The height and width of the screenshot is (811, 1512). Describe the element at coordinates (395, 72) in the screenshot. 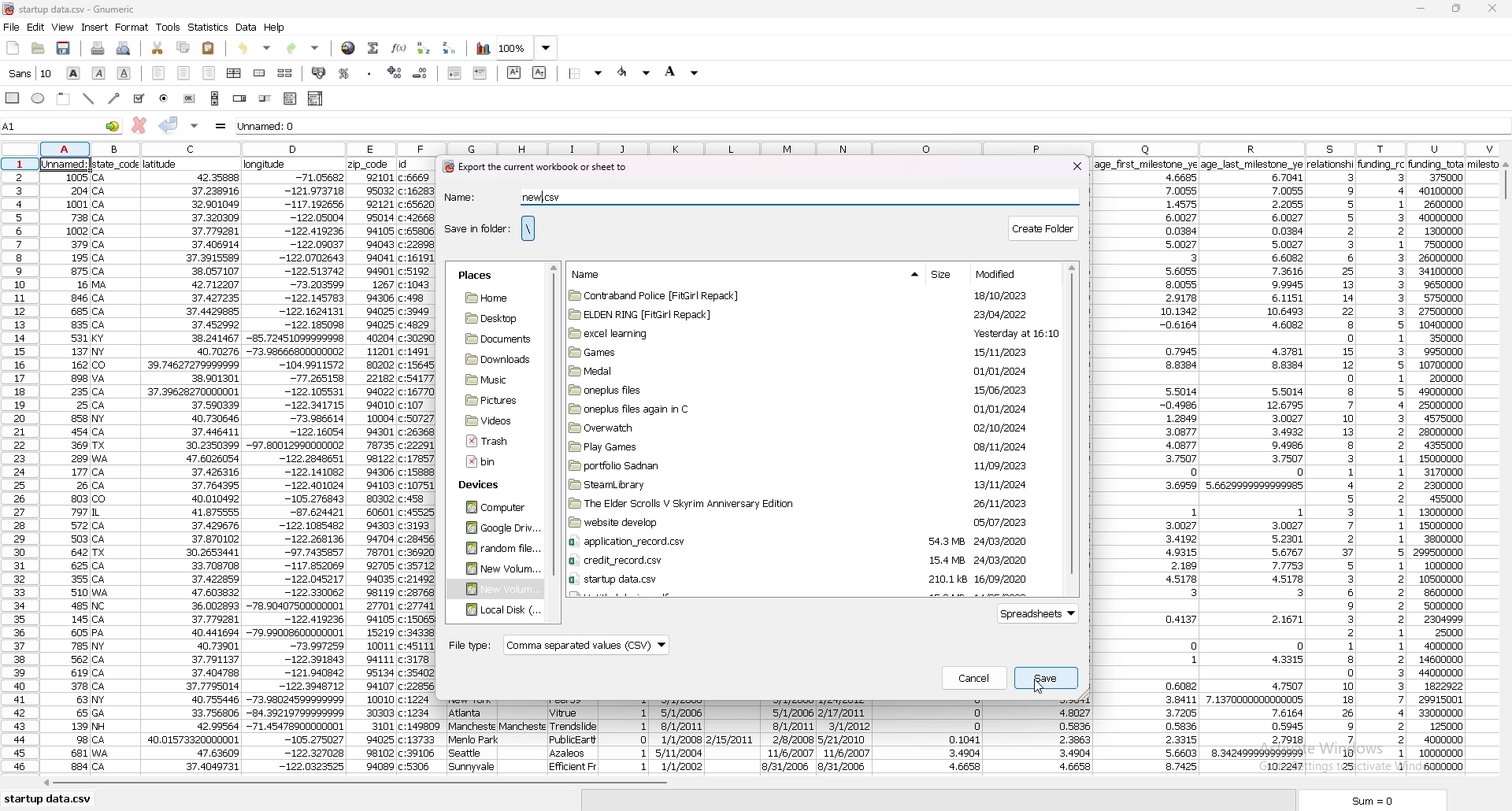

I see `increase decimals` at that location.